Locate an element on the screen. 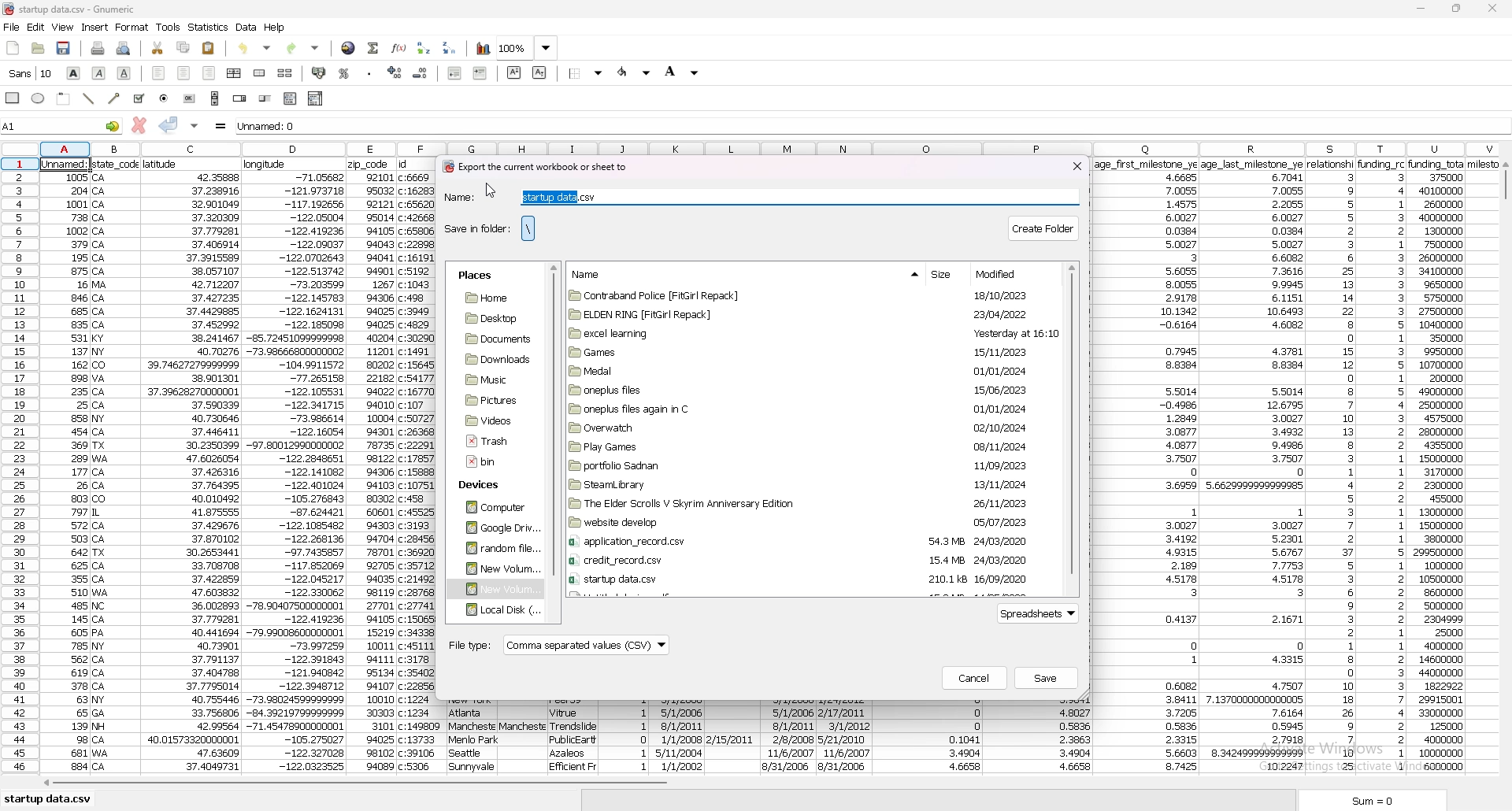  tickbox is located at coordinates (139, 98).